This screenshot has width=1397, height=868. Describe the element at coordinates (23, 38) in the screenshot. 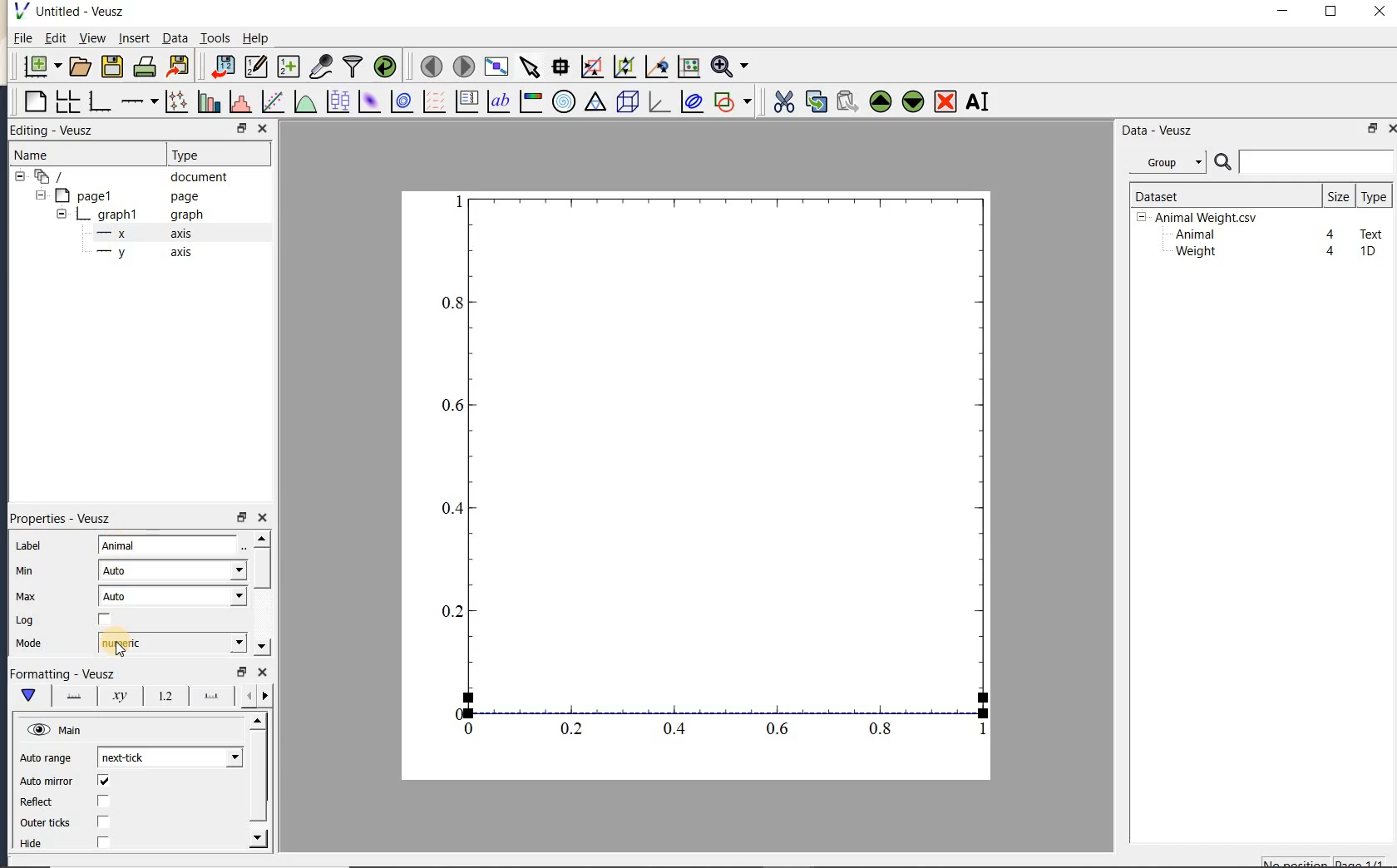

I see `File` at that location.